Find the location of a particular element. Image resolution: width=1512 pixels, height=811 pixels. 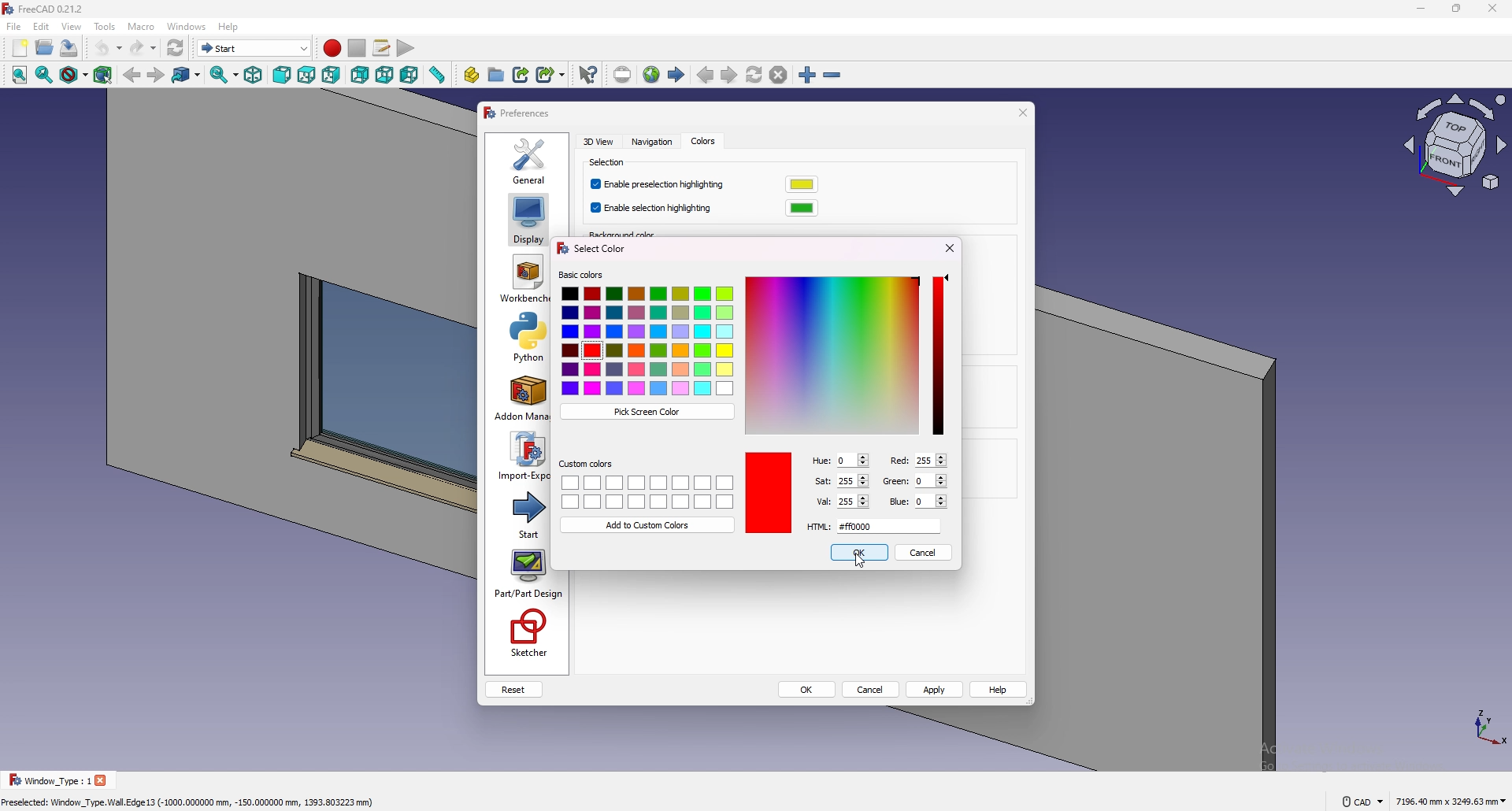

go to link object is located at coordinates (187, 76).